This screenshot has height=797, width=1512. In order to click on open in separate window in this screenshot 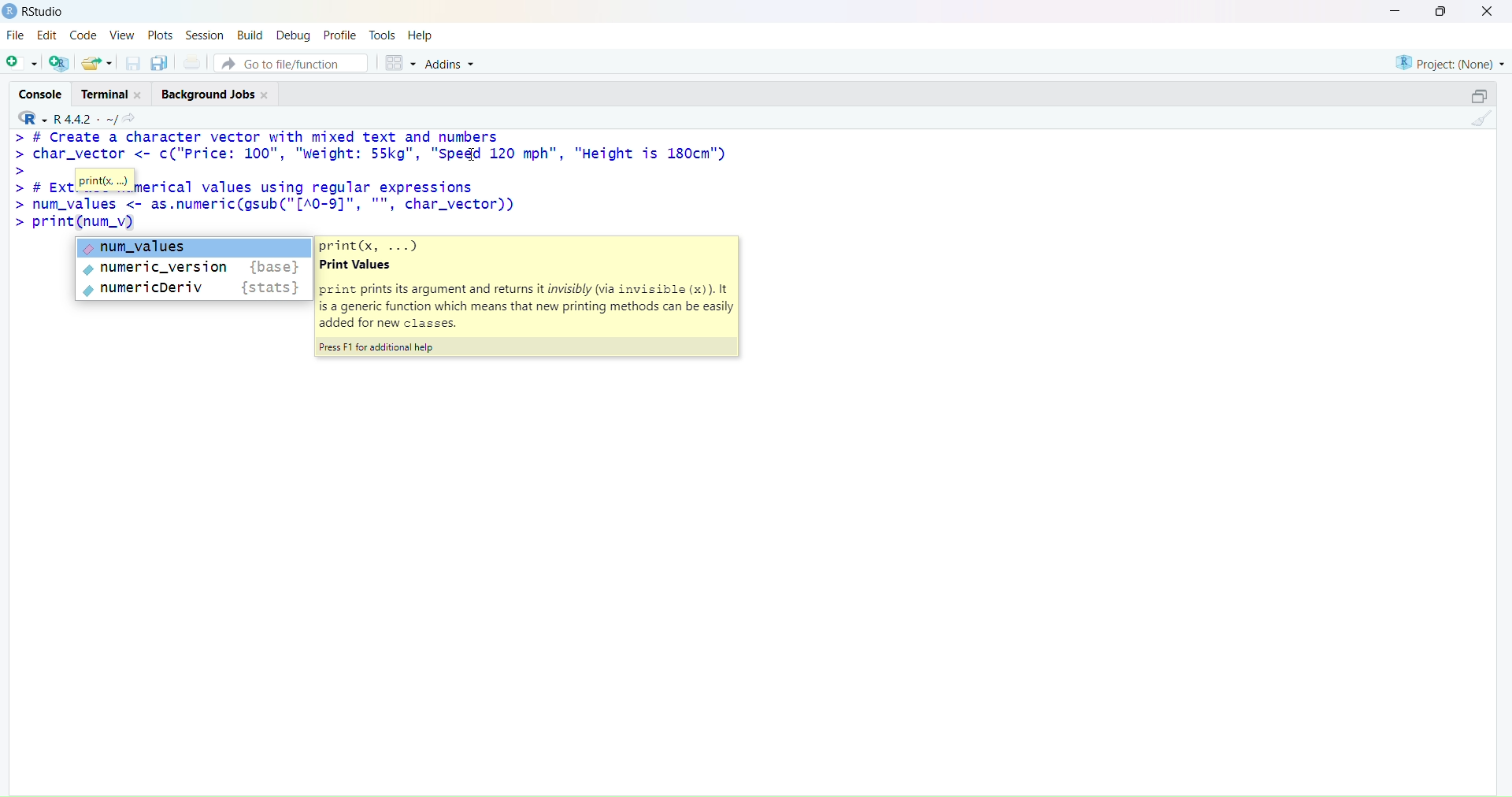, I will do `click(1479, 95)`.